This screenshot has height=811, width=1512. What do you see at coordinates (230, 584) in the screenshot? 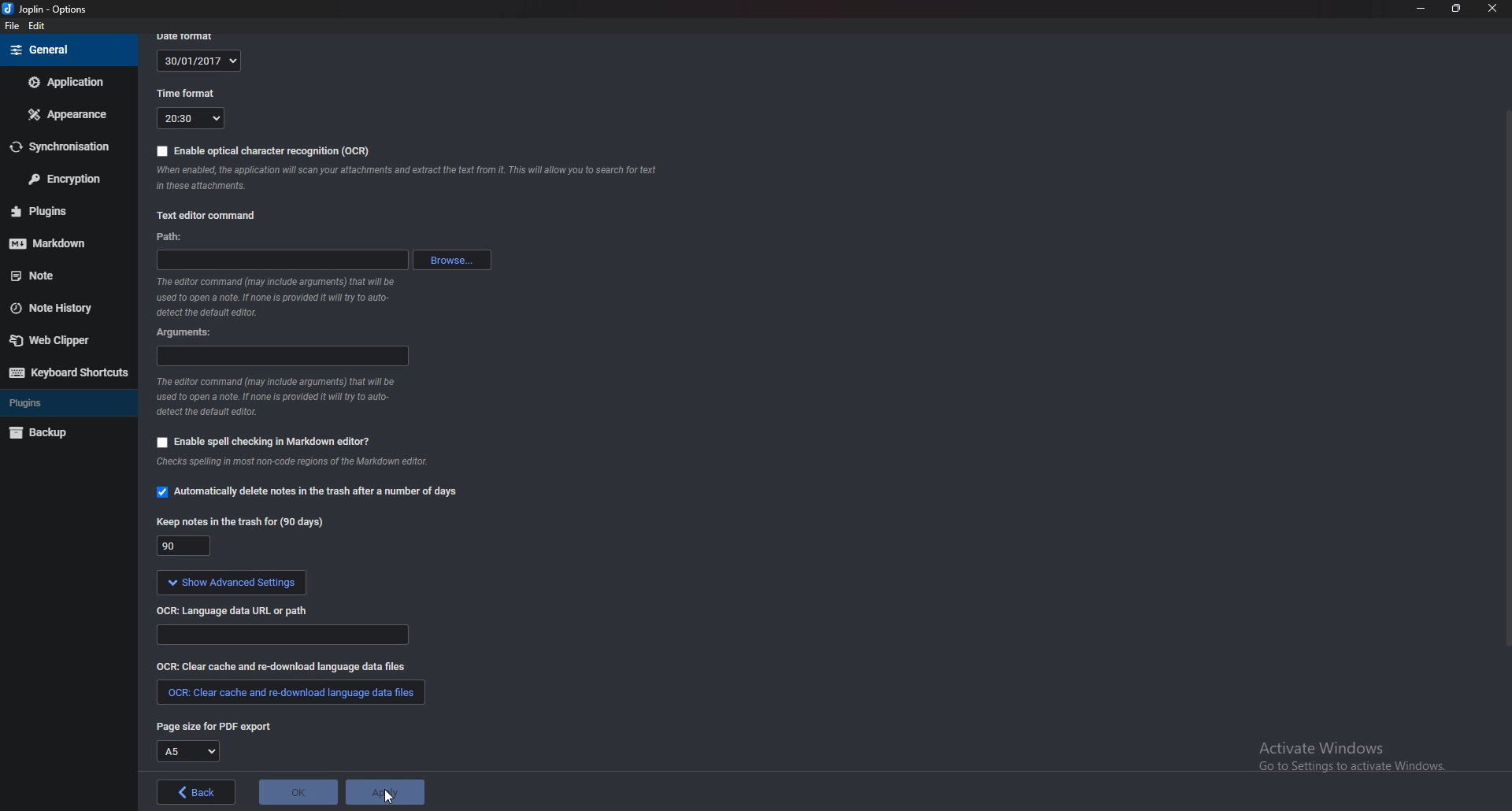
I see `show advanced settings` at bounding box center [230, 584].